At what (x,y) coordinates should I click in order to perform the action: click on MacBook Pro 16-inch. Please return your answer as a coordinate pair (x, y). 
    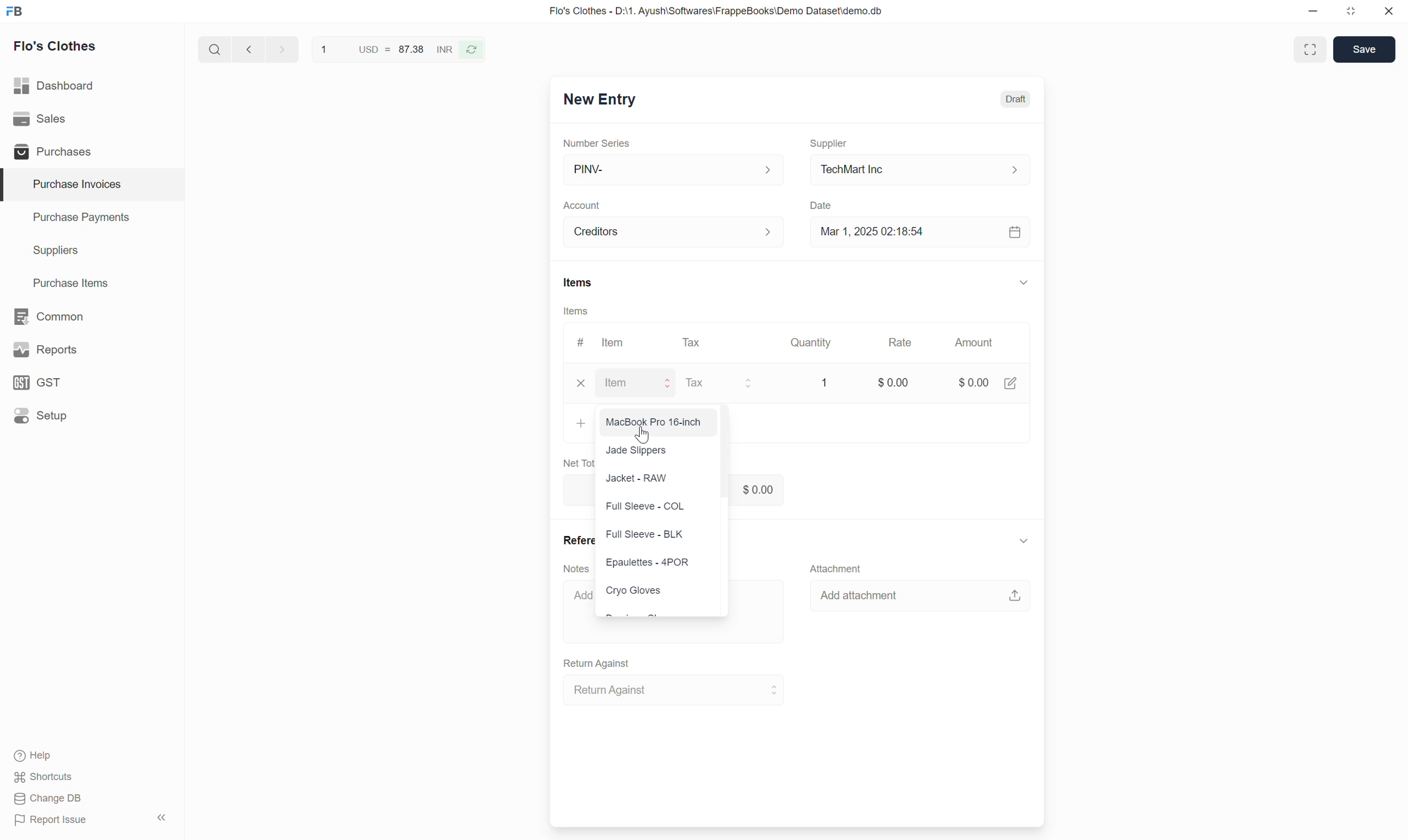
    Looking at the image, I should click on (655, 421).